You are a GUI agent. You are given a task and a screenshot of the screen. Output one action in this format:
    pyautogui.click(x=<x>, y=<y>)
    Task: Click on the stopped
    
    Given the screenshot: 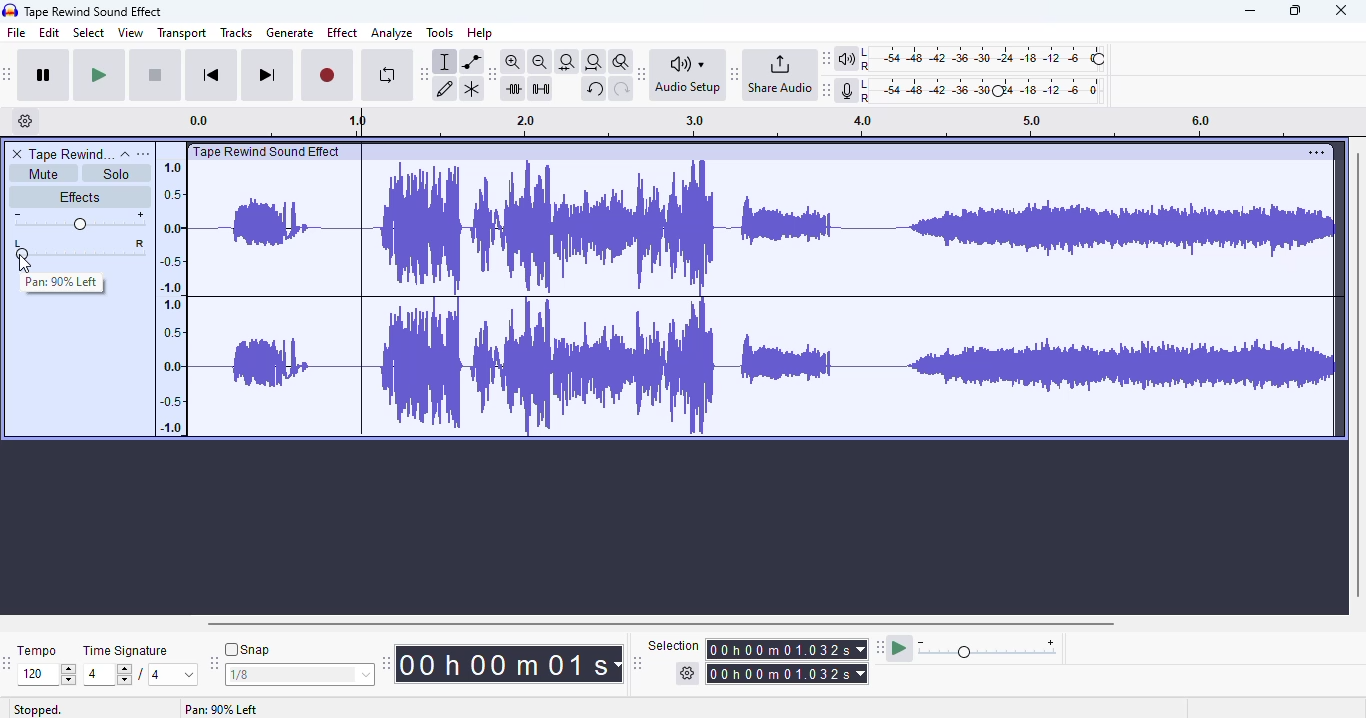 What is the action you would take?
    pyautogui.click(x=38, y=710)
    